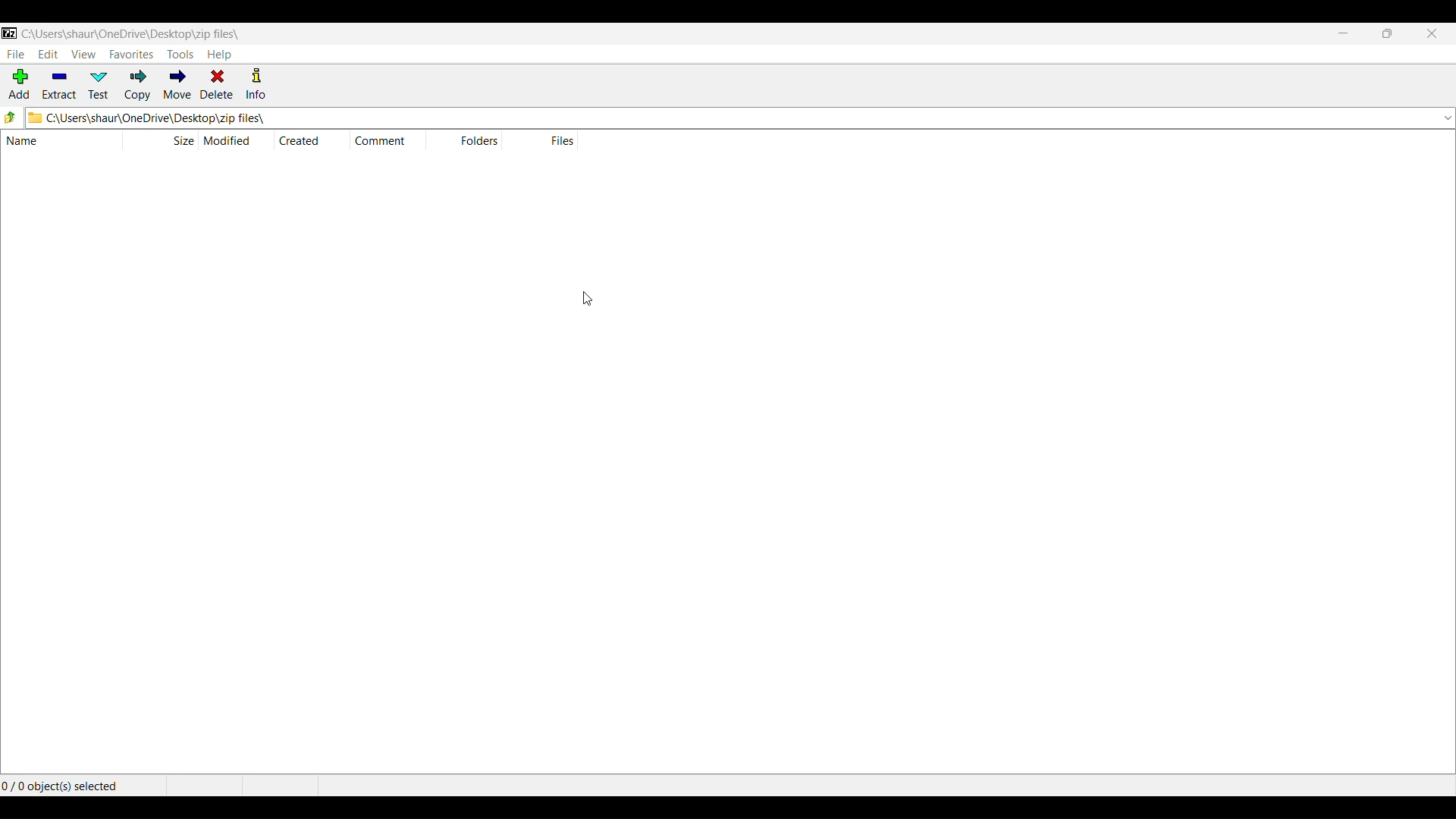 This screenshot has width=1456, height=819. What do you see at coordinates (259, 85) in the screenshot?
I see `INFO` at bounding box center [259, 85].